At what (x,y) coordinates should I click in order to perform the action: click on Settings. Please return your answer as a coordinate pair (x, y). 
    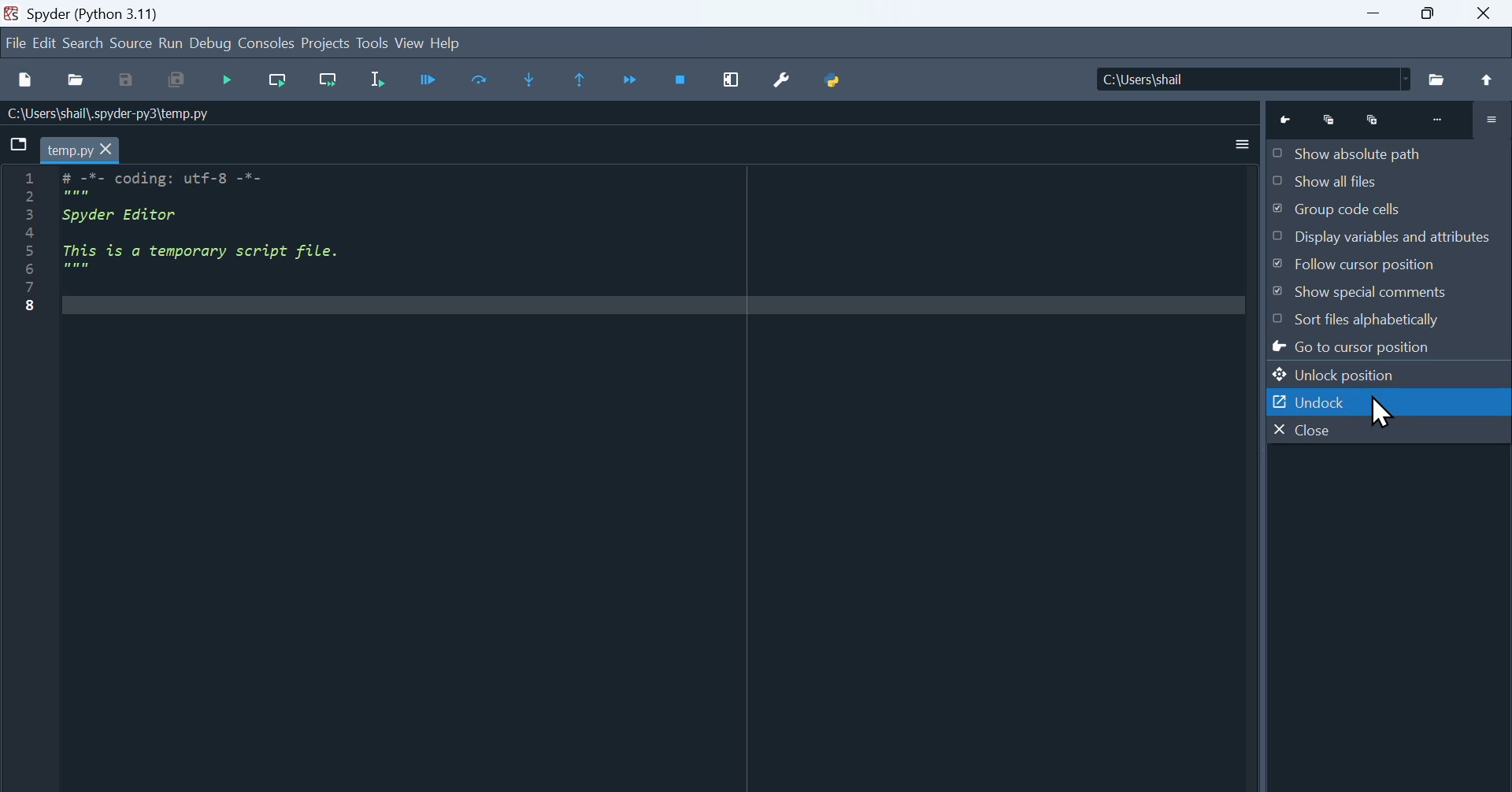
    Looking at the image, I should click on (1492, 120).